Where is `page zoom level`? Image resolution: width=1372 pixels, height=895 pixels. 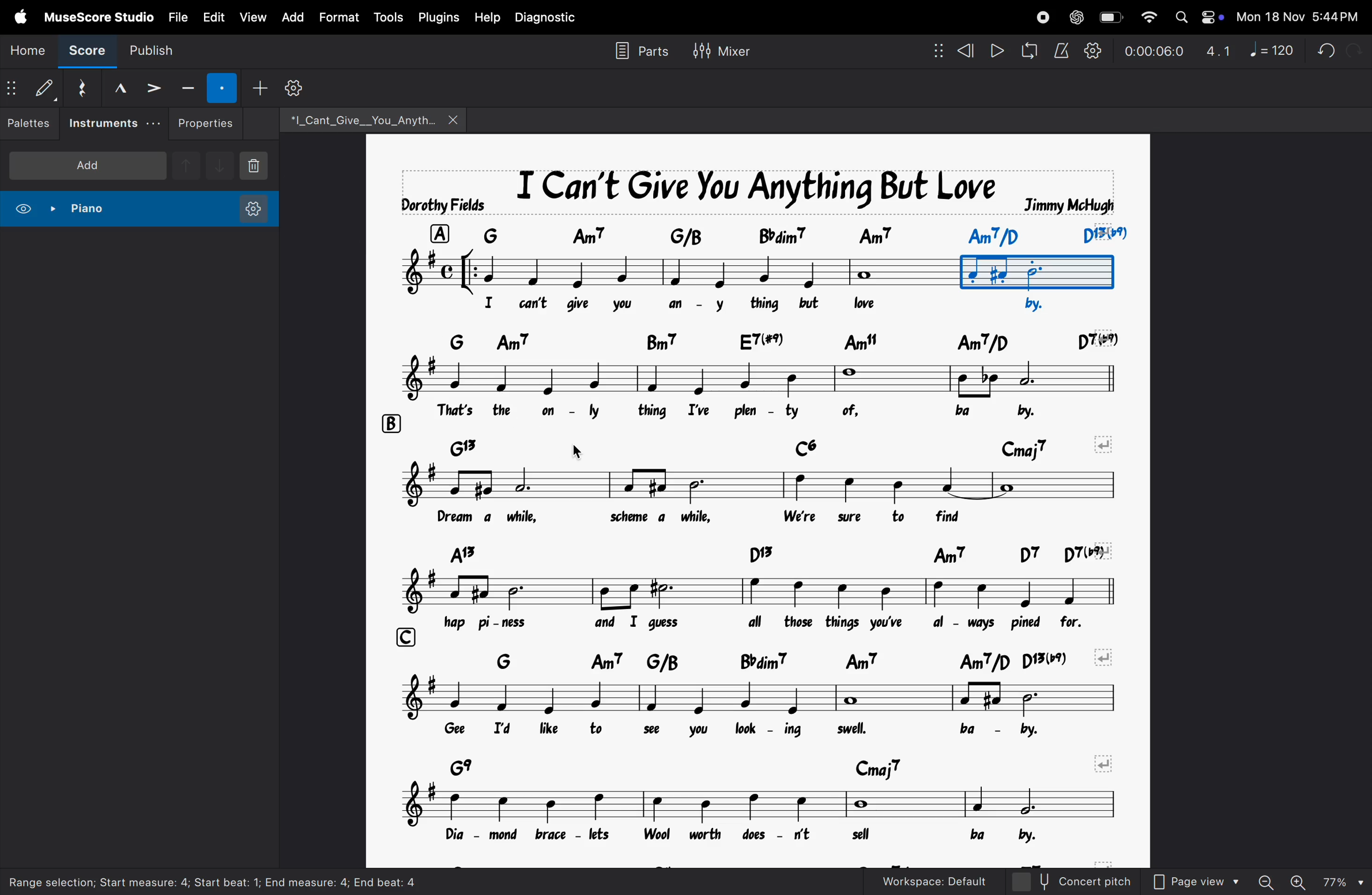 page zoom level is located at coordinates (1343, 881).